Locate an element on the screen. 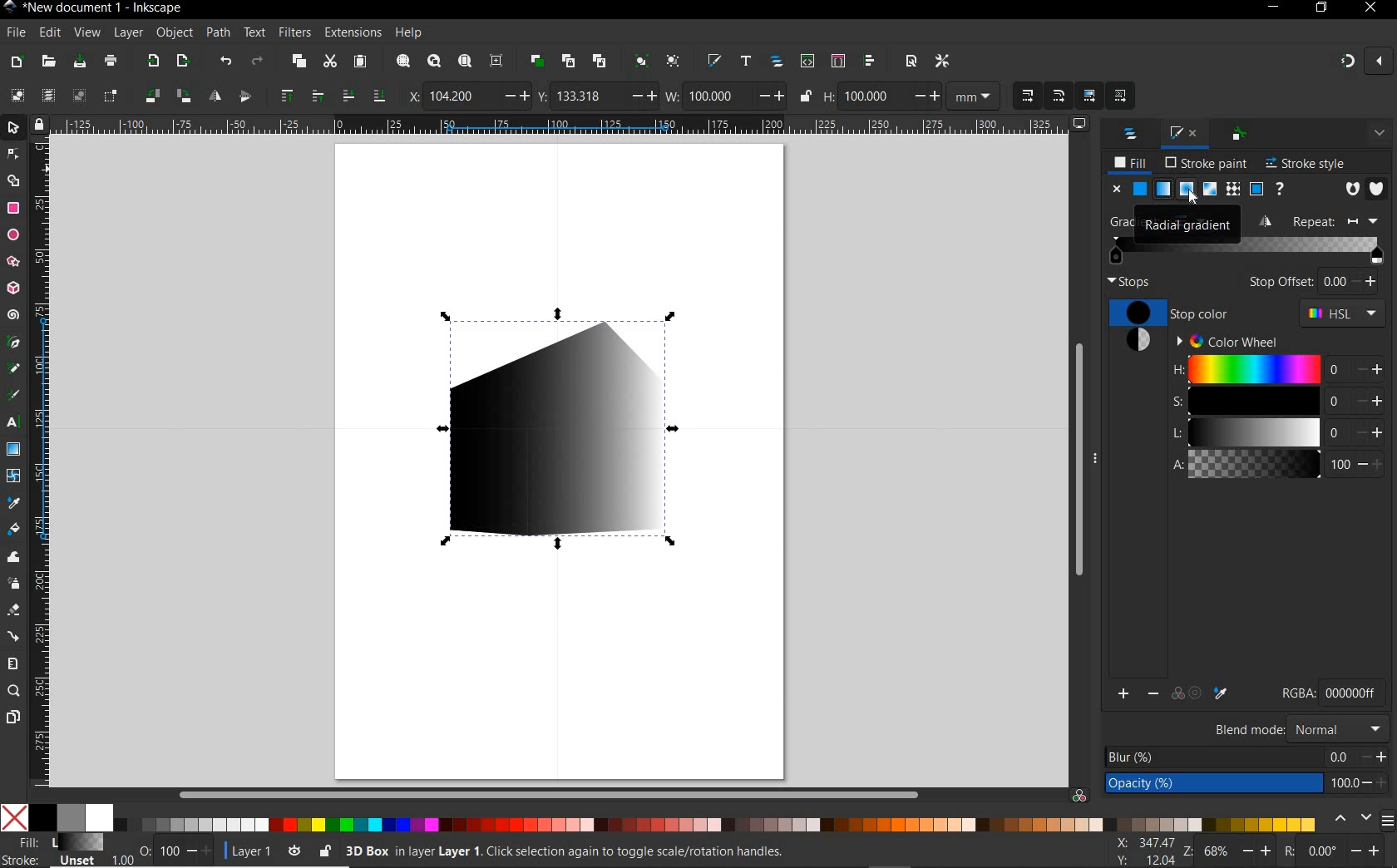 This screenshot has height=868, width=1397. RAISE SELECTION is located at coordinates (313, 97).